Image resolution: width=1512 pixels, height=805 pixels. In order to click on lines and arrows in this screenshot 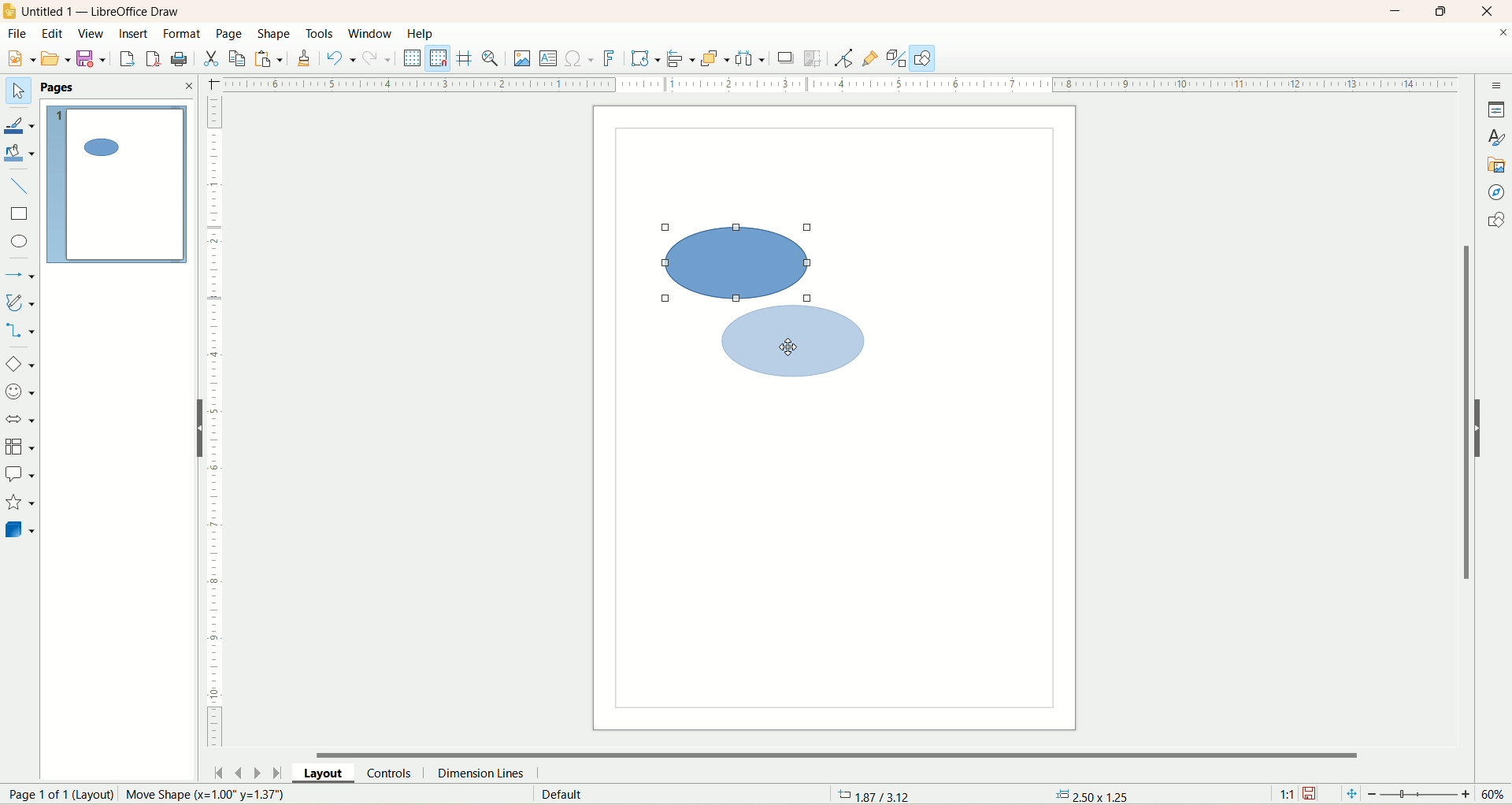, I will do `click(20, 275)`.